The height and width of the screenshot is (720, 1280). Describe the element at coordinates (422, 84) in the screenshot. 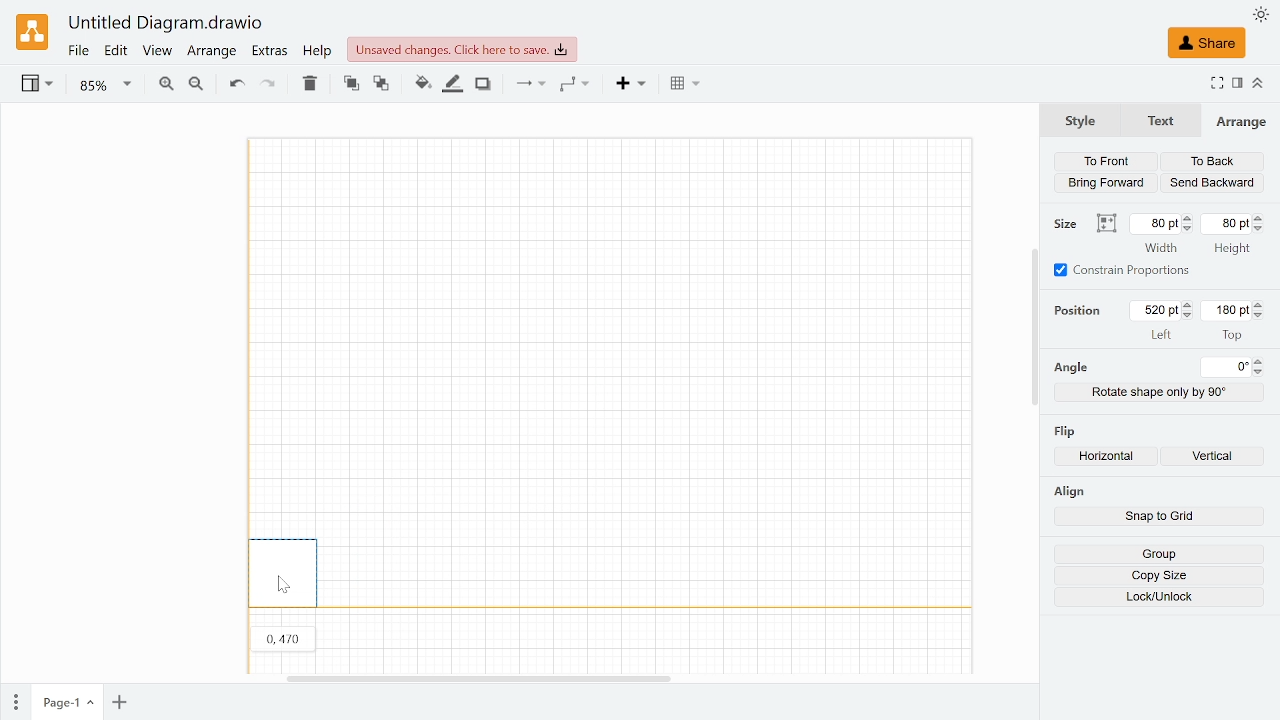

I see `Fill color` at that location.